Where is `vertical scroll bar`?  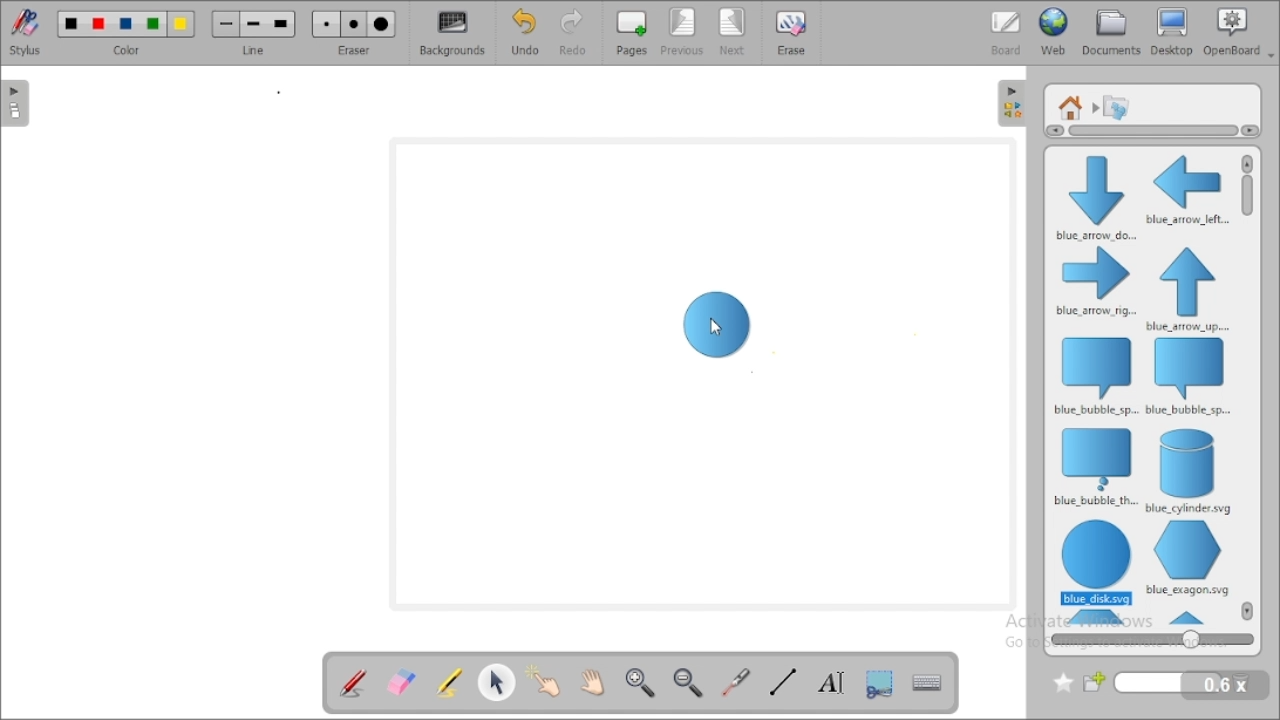
vertical scroll bar is located at coordinates (1248, 208).